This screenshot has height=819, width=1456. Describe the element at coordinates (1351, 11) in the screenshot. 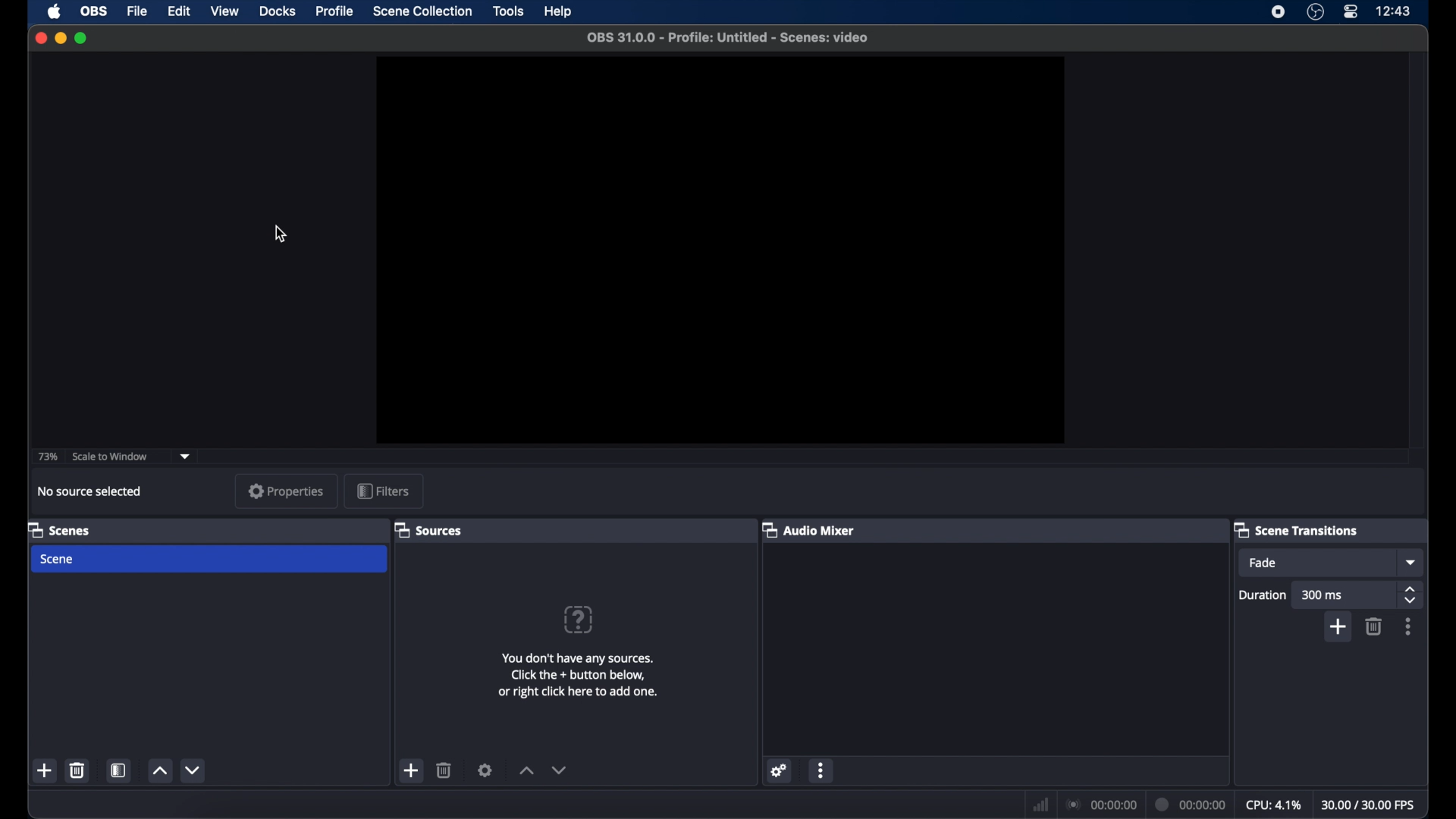

I see `control center` at that location.